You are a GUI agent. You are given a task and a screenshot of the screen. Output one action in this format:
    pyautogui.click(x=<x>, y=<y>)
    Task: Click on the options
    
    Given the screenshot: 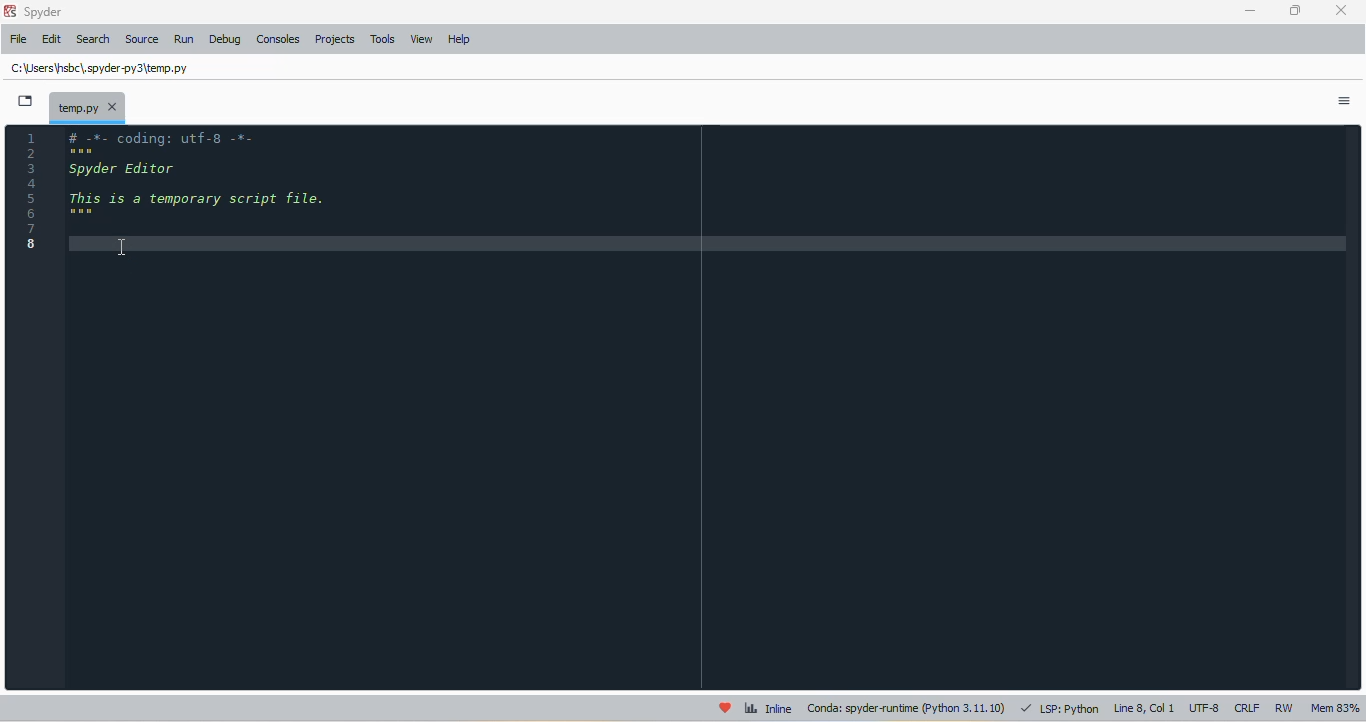 What is the action you would take?
    pyautogui.click(x=1344, y=100)
    